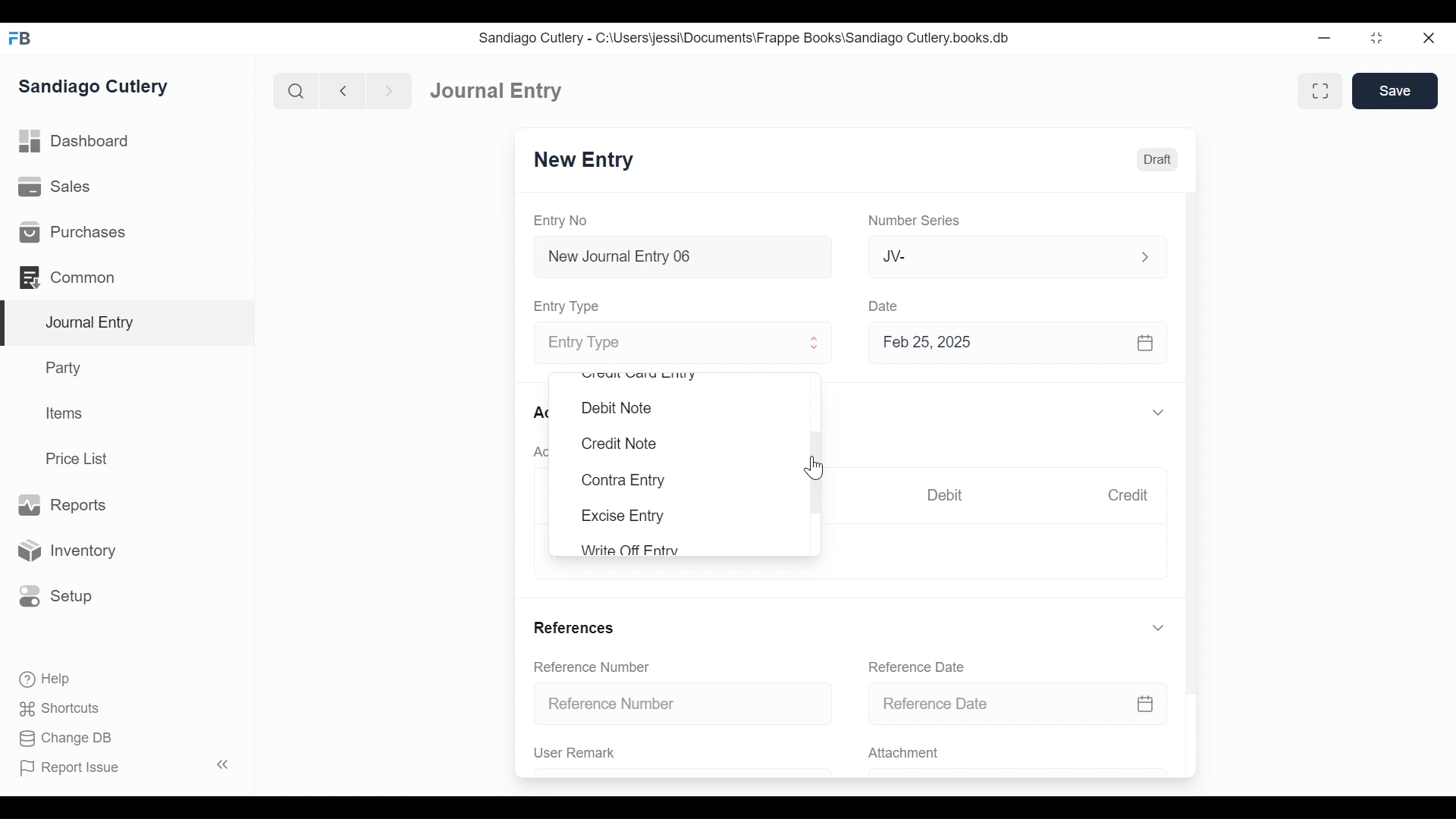 The height and width of the screenshot is (819, 1456). What do you see at coordinates (64, 551) in the screenshot?
I see `Inventory` at bounding box center [64, 551].